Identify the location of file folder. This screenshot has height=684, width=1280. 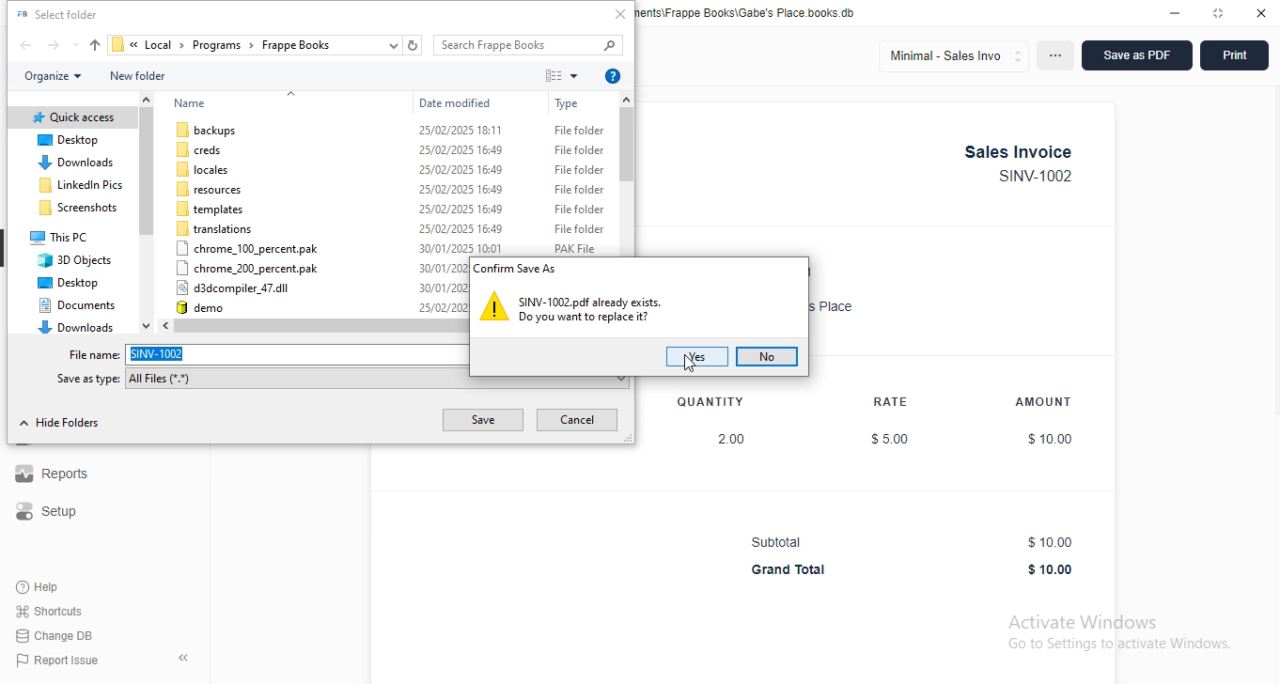
(579, 209).